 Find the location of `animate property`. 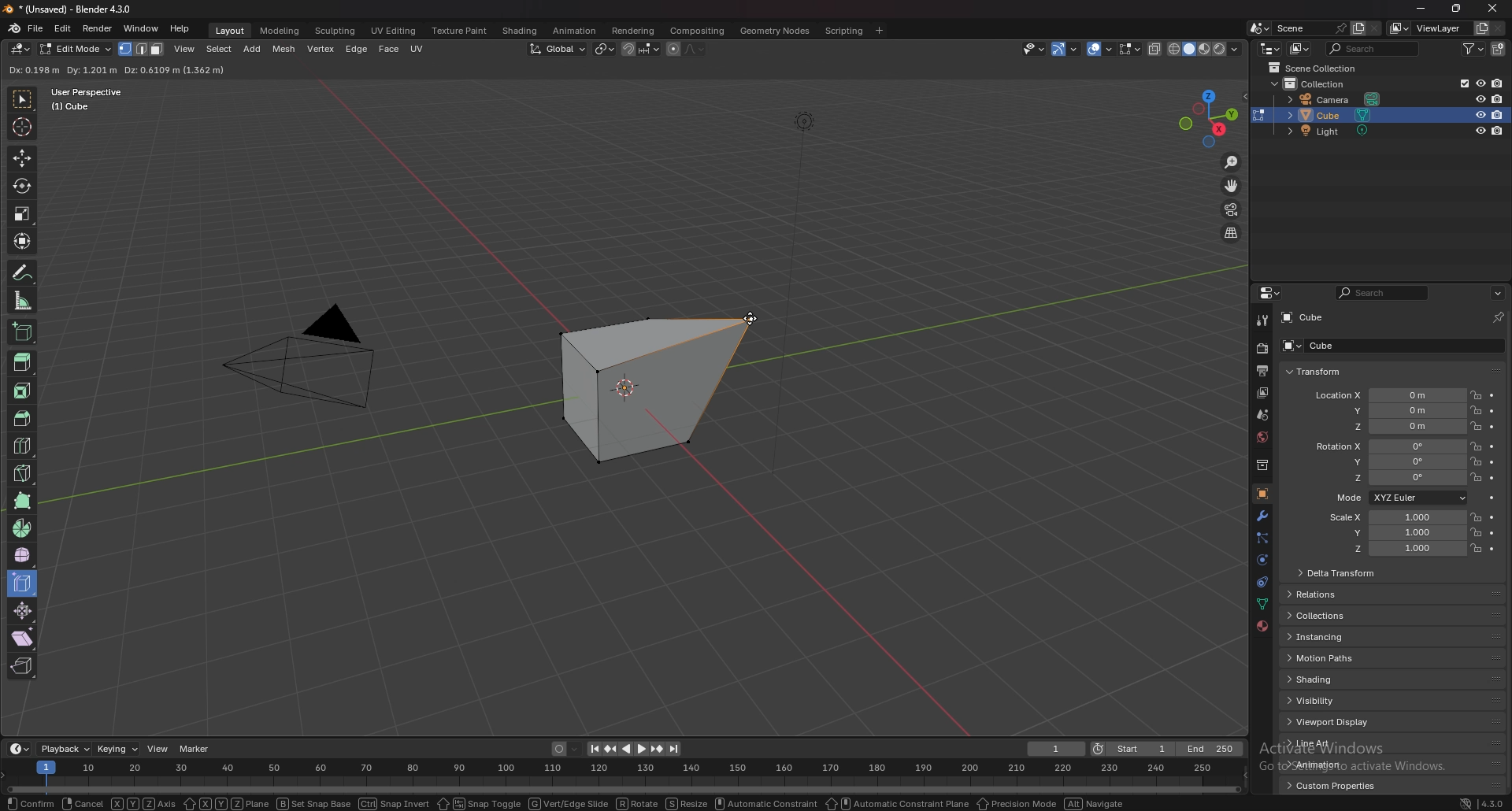

animate property is located at coordinates (1492, 412).